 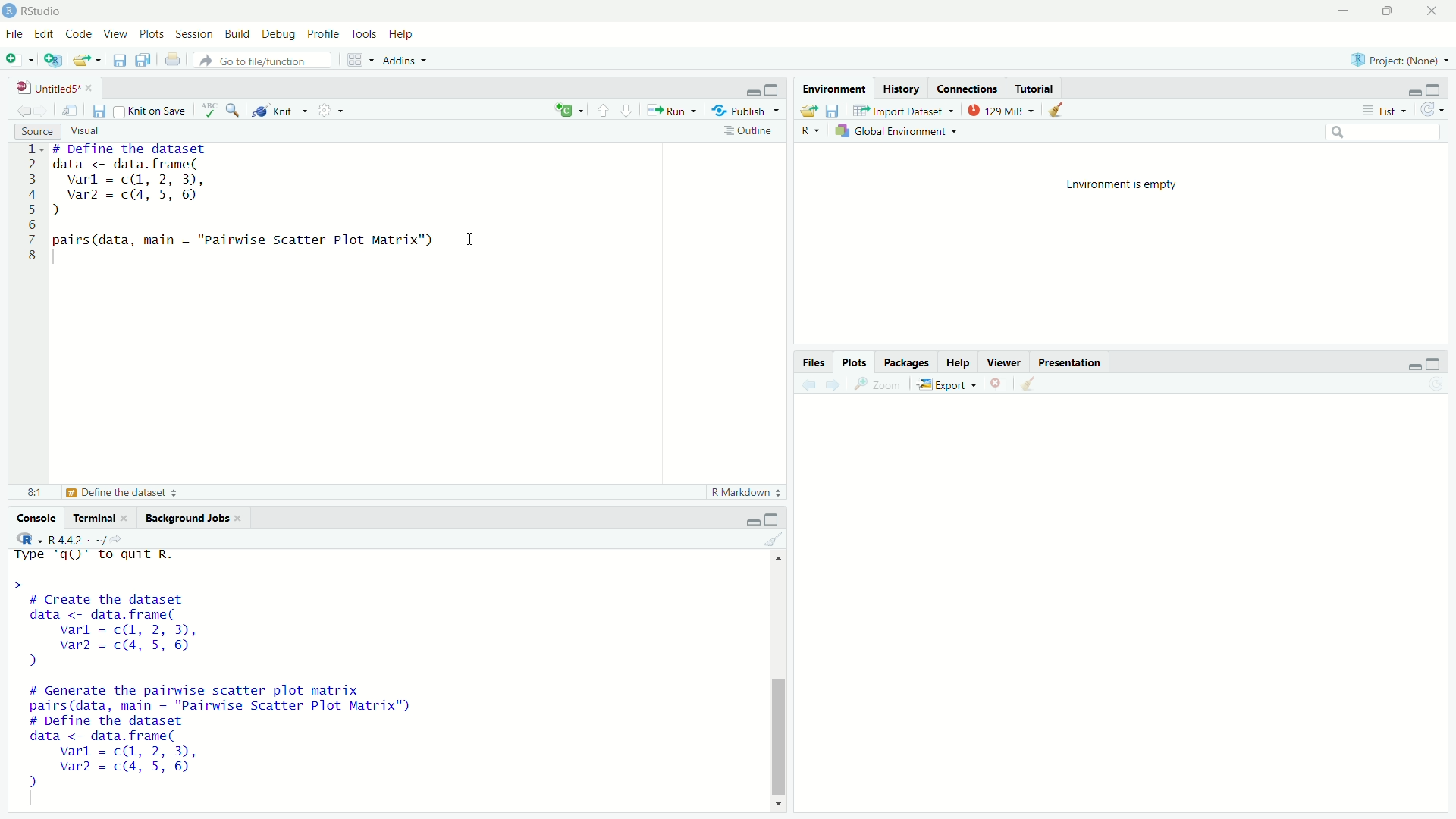 I want to click on 129kib used by R session (Source: Windows System), so click(x=1002, y=108).